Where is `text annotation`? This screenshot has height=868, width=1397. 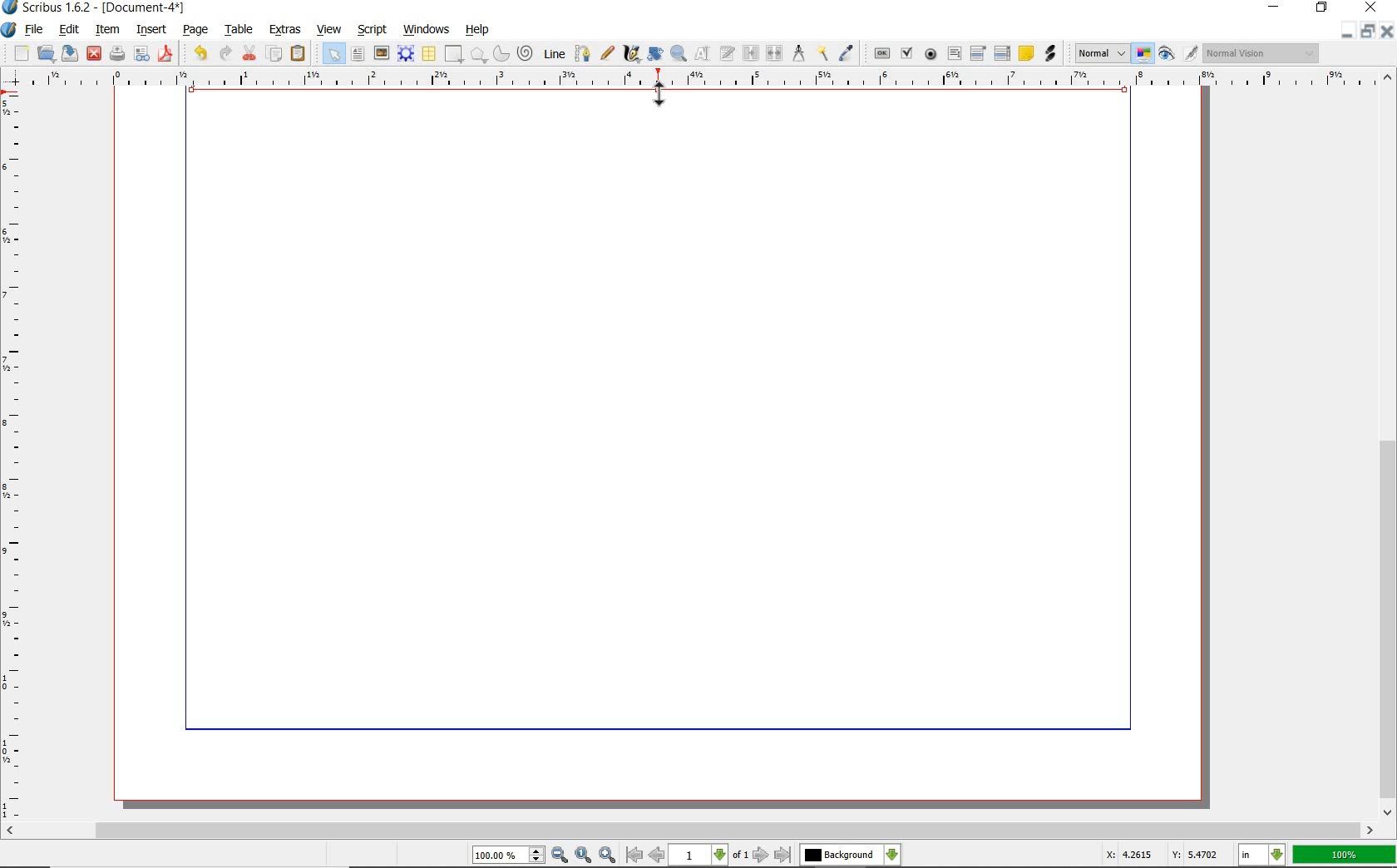
text annotation is located at coordinates (1026, 53).